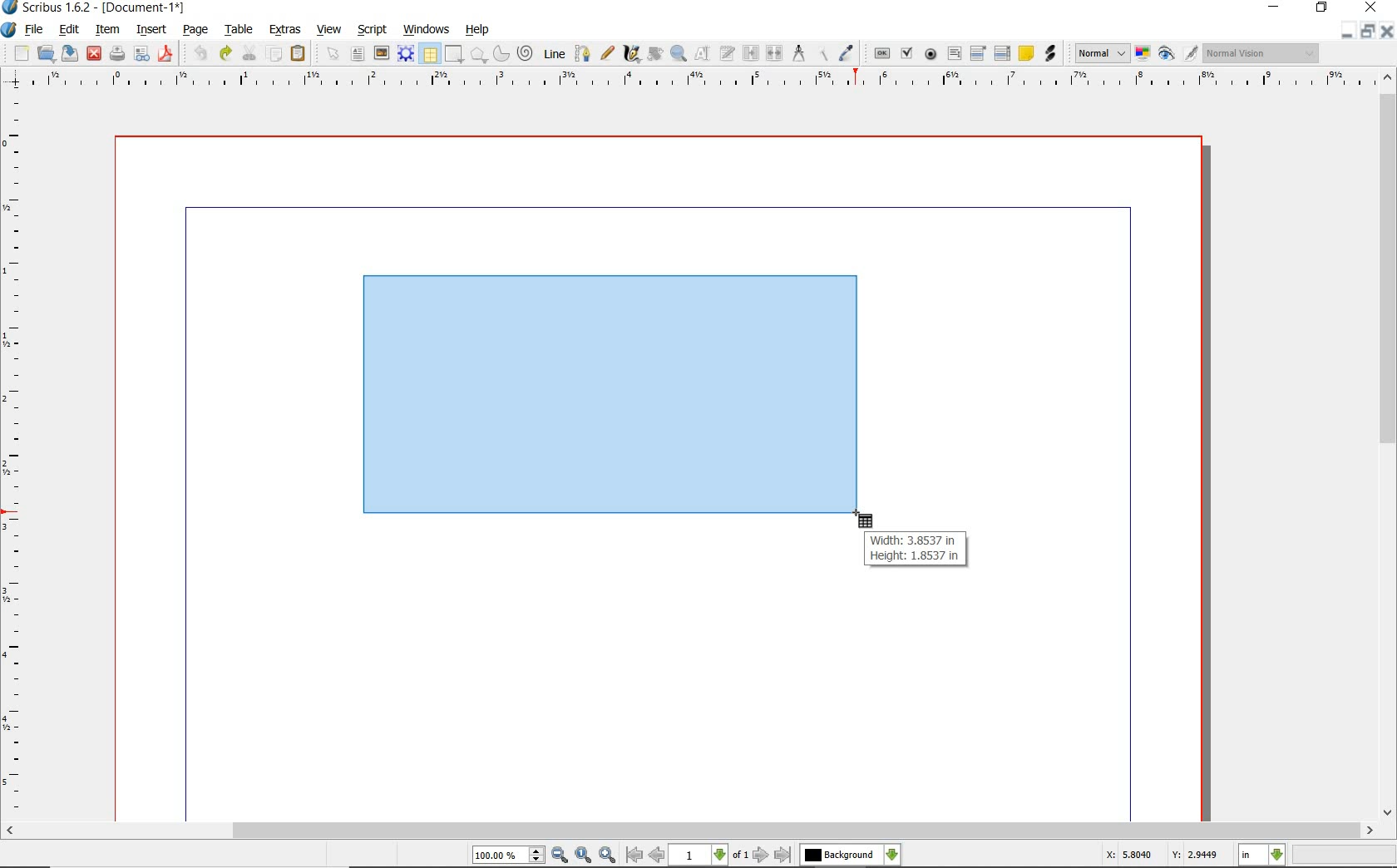 This screenshot has width=1397, height=868. What do you see at coordinates (583, 856) in the screenshot?
I see `zoom to` at bounding box center [583, 856].